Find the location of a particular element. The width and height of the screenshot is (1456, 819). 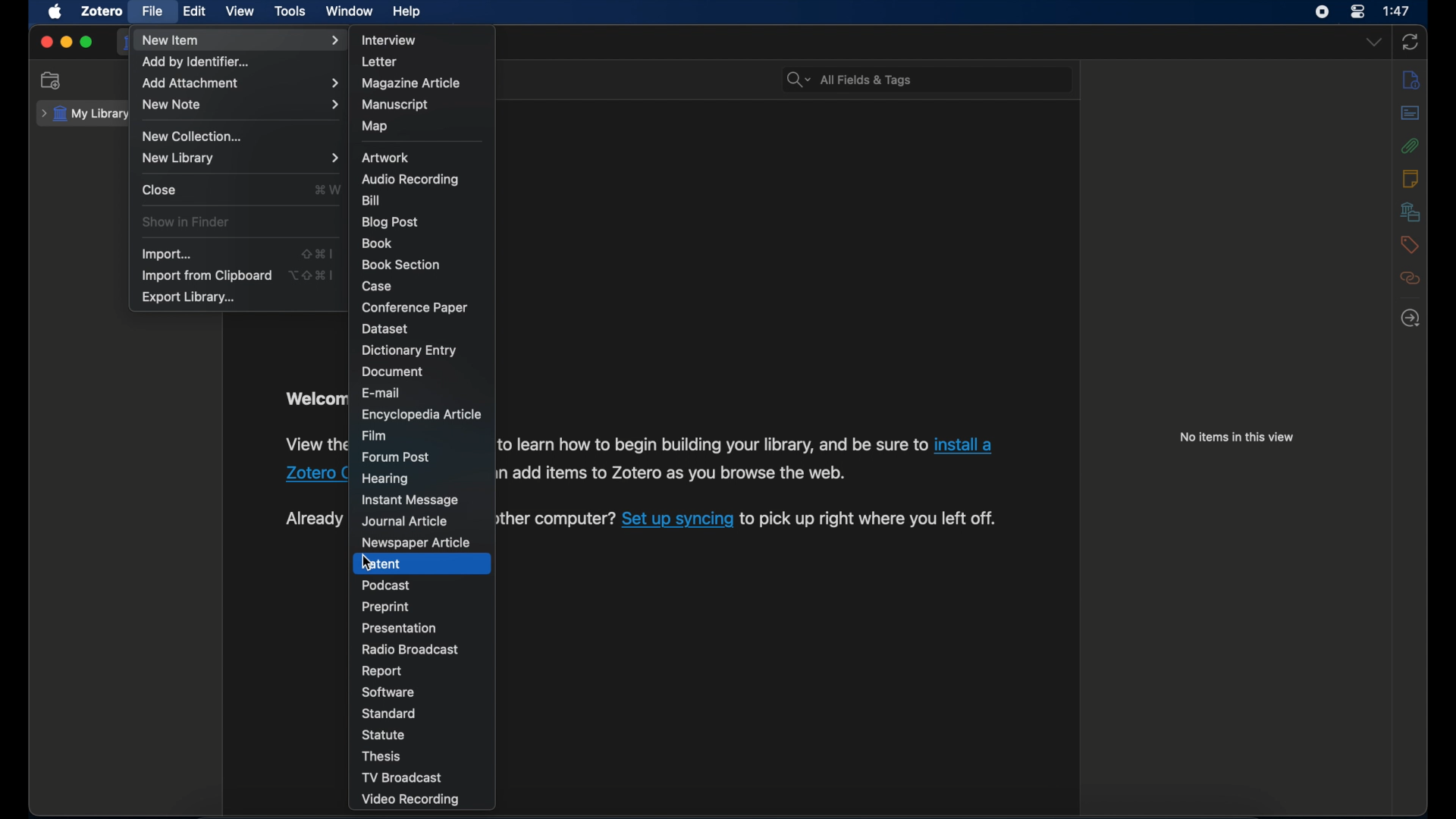

close is located at coordinates (46, 41).